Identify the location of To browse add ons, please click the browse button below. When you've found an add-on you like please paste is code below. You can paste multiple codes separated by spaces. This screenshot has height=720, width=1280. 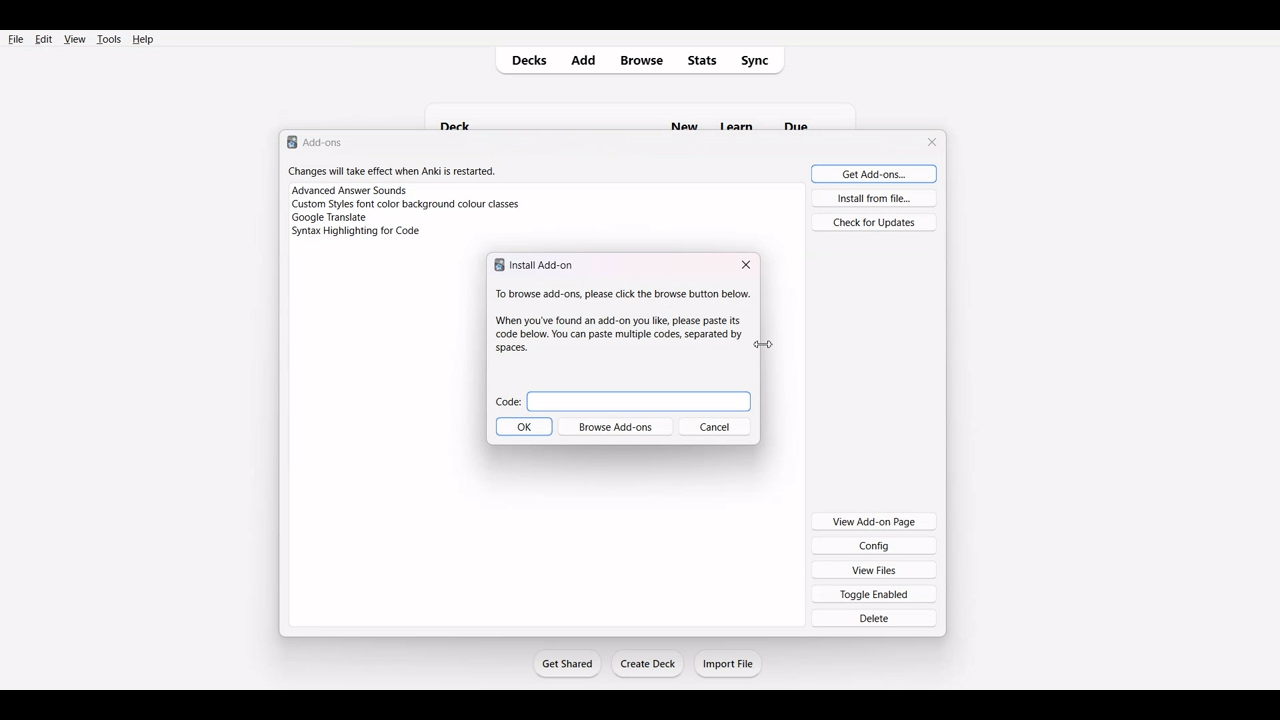
(618, 320).